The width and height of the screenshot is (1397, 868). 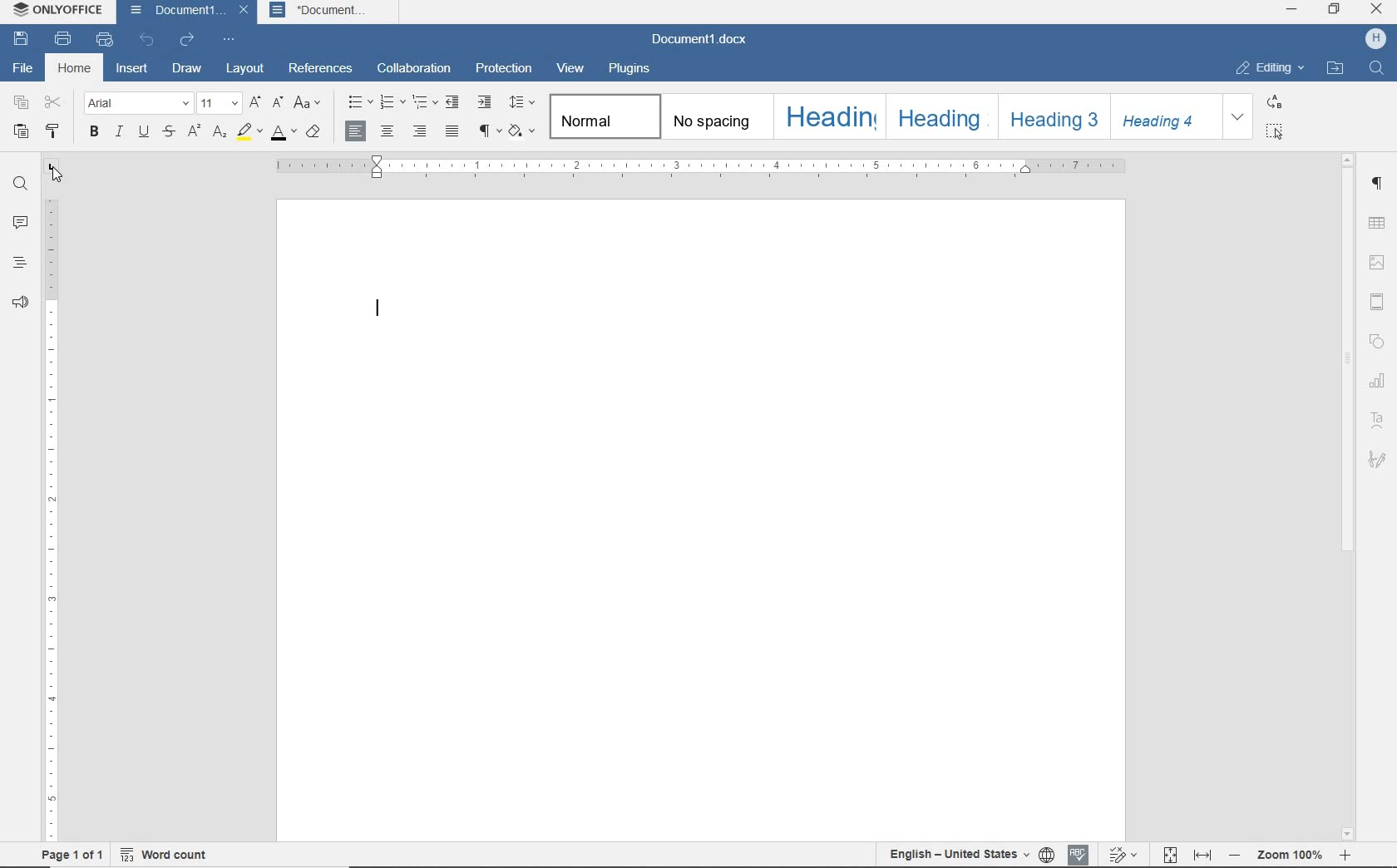 I want to click on EDITOR, so click(x=375, y=305).